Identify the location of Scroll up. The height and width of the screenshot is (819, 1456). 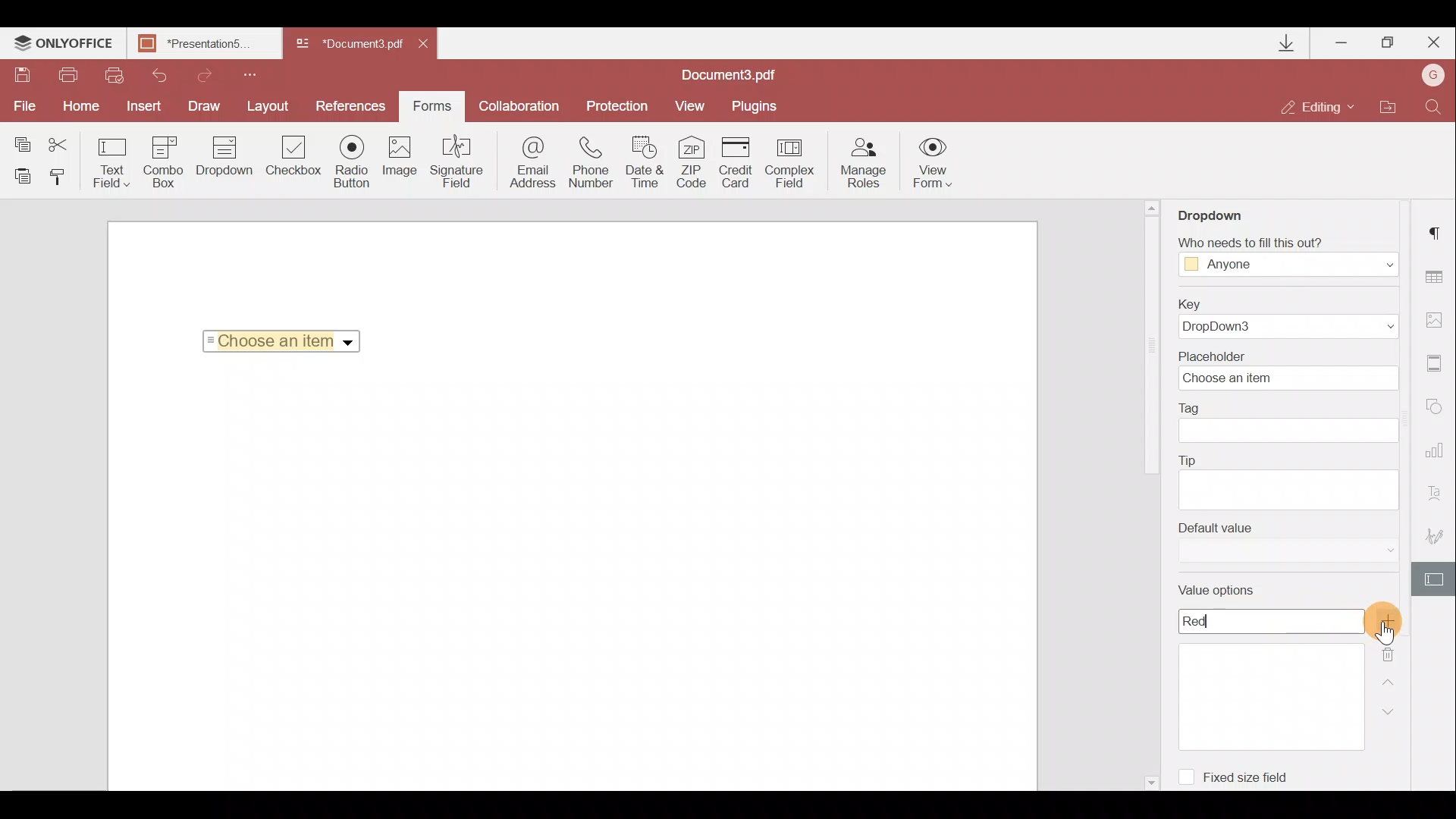
(1153, 207).